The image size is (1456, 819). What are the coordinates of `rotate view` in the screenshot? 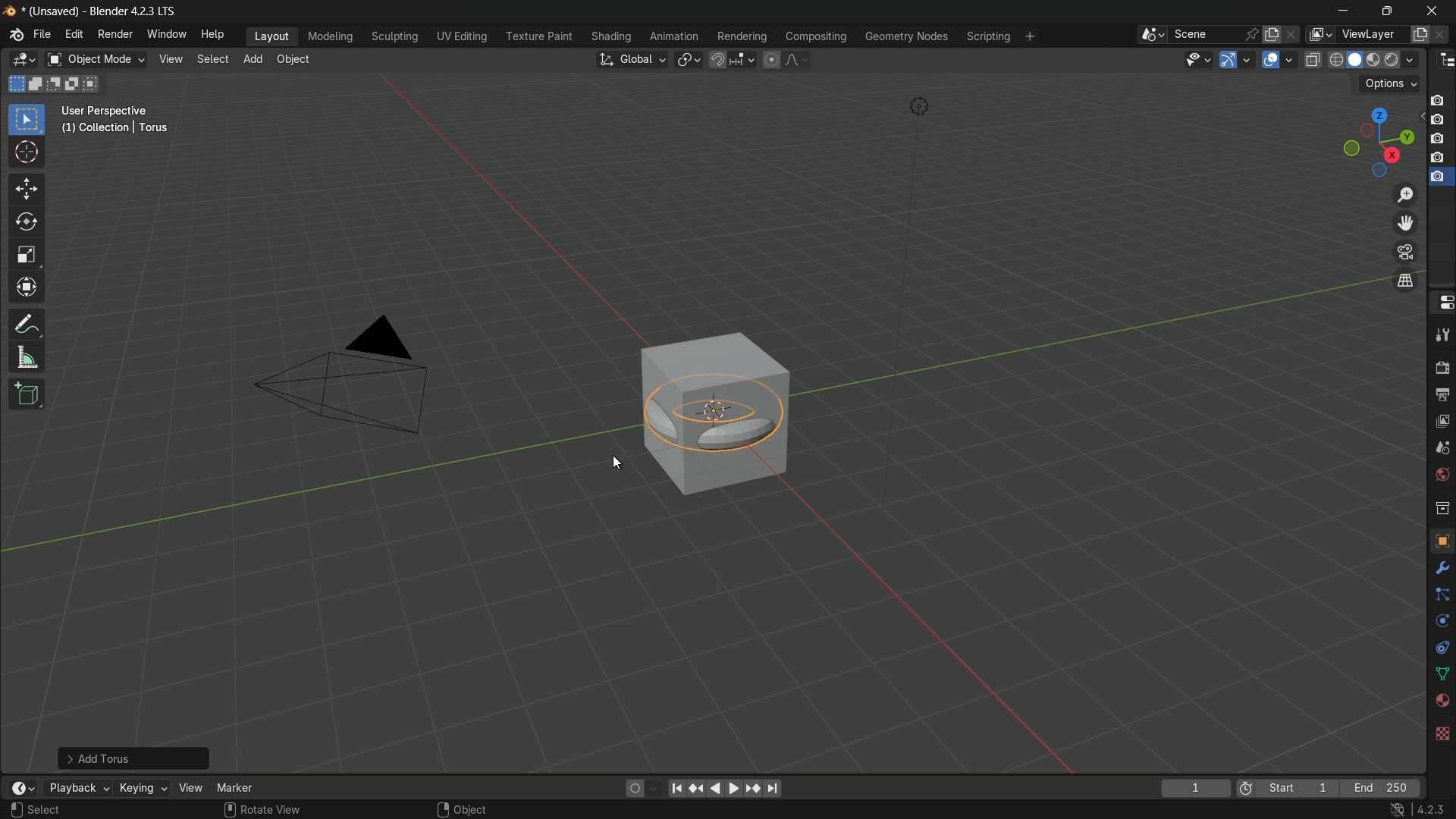 It's located at (273, 808).